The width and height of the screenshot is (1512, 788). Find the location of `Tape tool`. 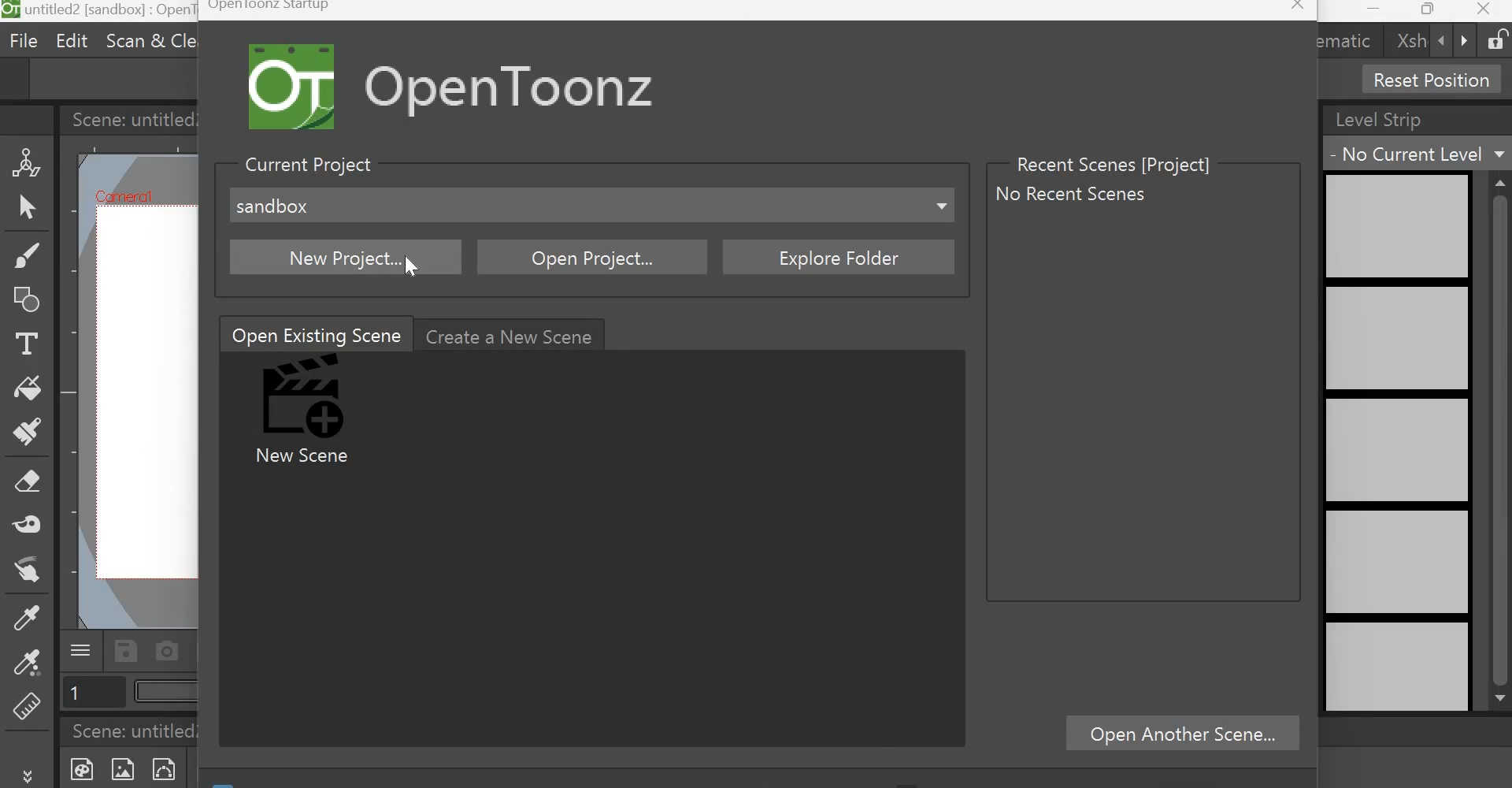

Tape tool is located at coordinates (31, 523).